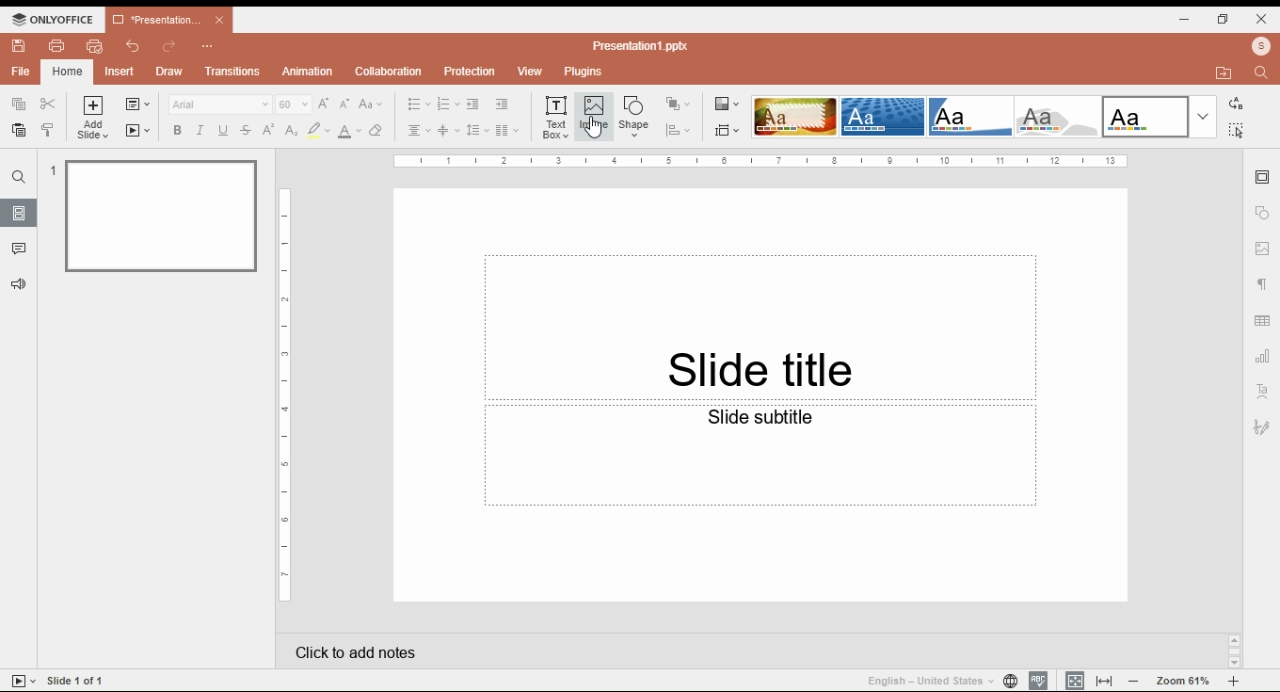 Image resolution: width=1280 pixels, height=692 pixels. Describe the element at coordinates (208, 47) in the screenshot. I see `options` at that location.